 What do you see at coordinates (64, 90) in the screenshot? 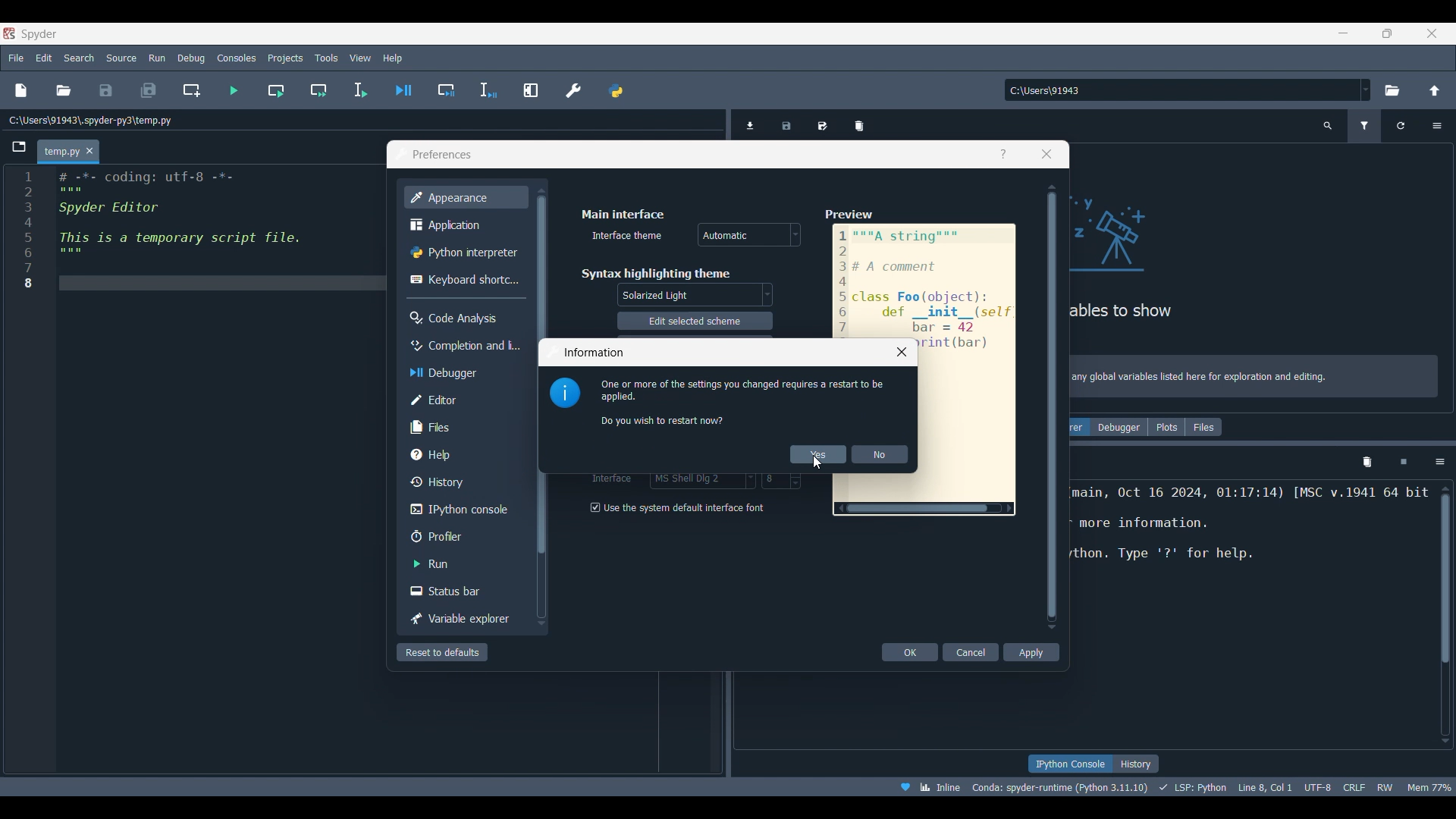
I see `Open file` at bounding box center [64, 90].